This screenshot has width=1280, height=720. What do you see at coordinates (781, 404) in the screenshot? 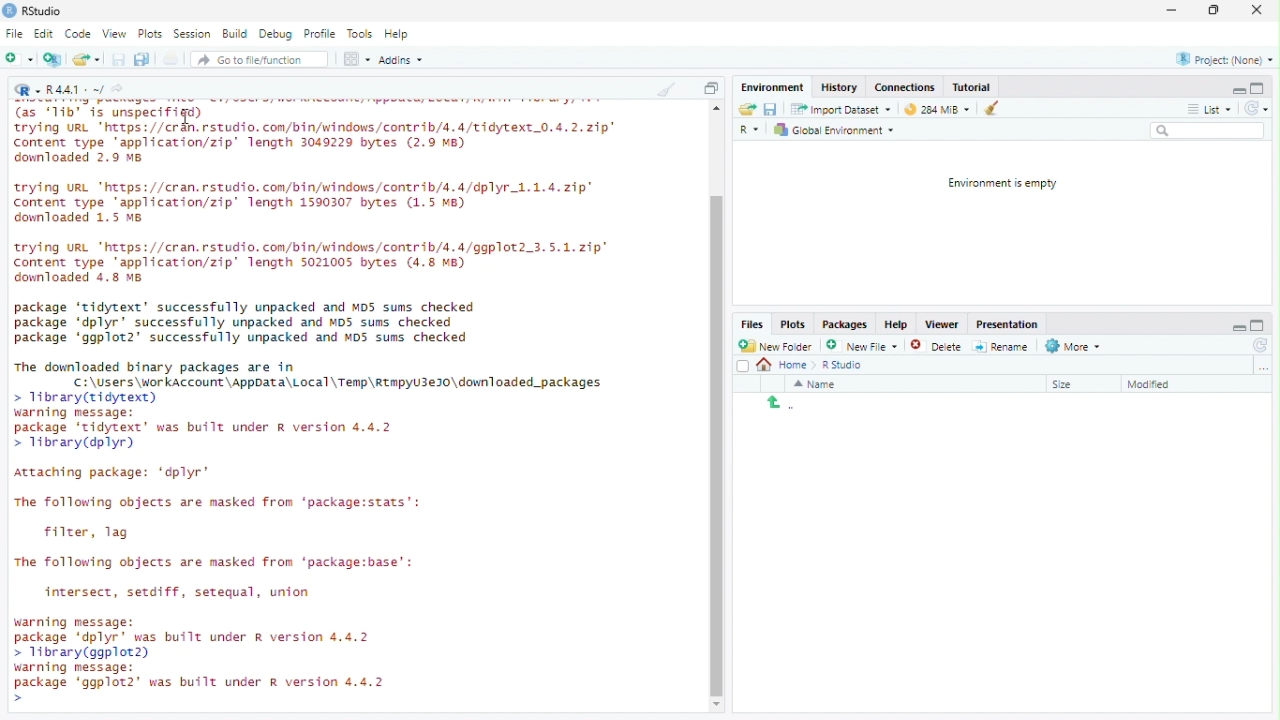
I see `Return` at bounding box center [781, 404].